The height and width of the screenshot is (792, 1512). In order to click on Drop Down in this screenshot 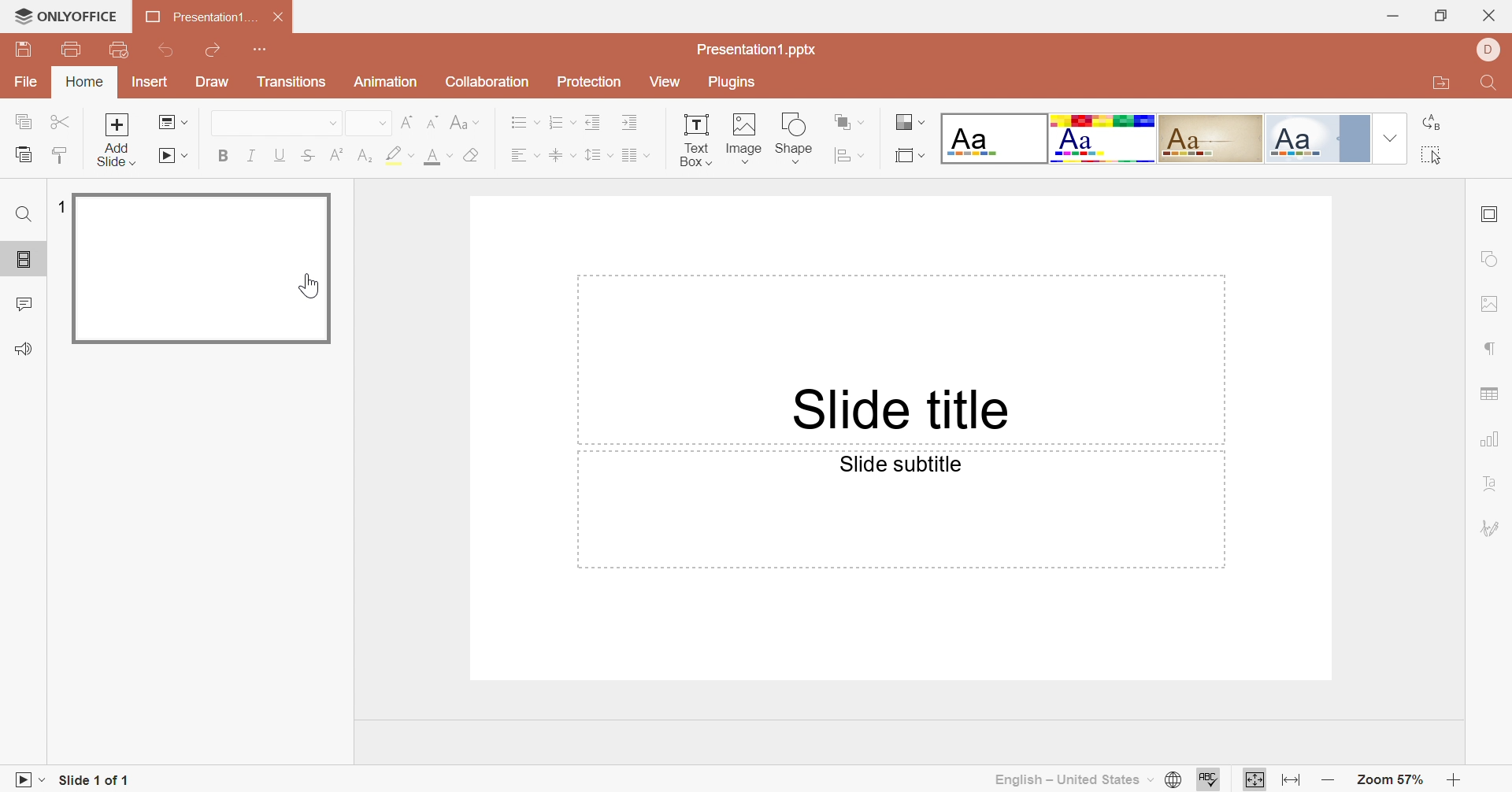, I will do `click(648, 156)`.